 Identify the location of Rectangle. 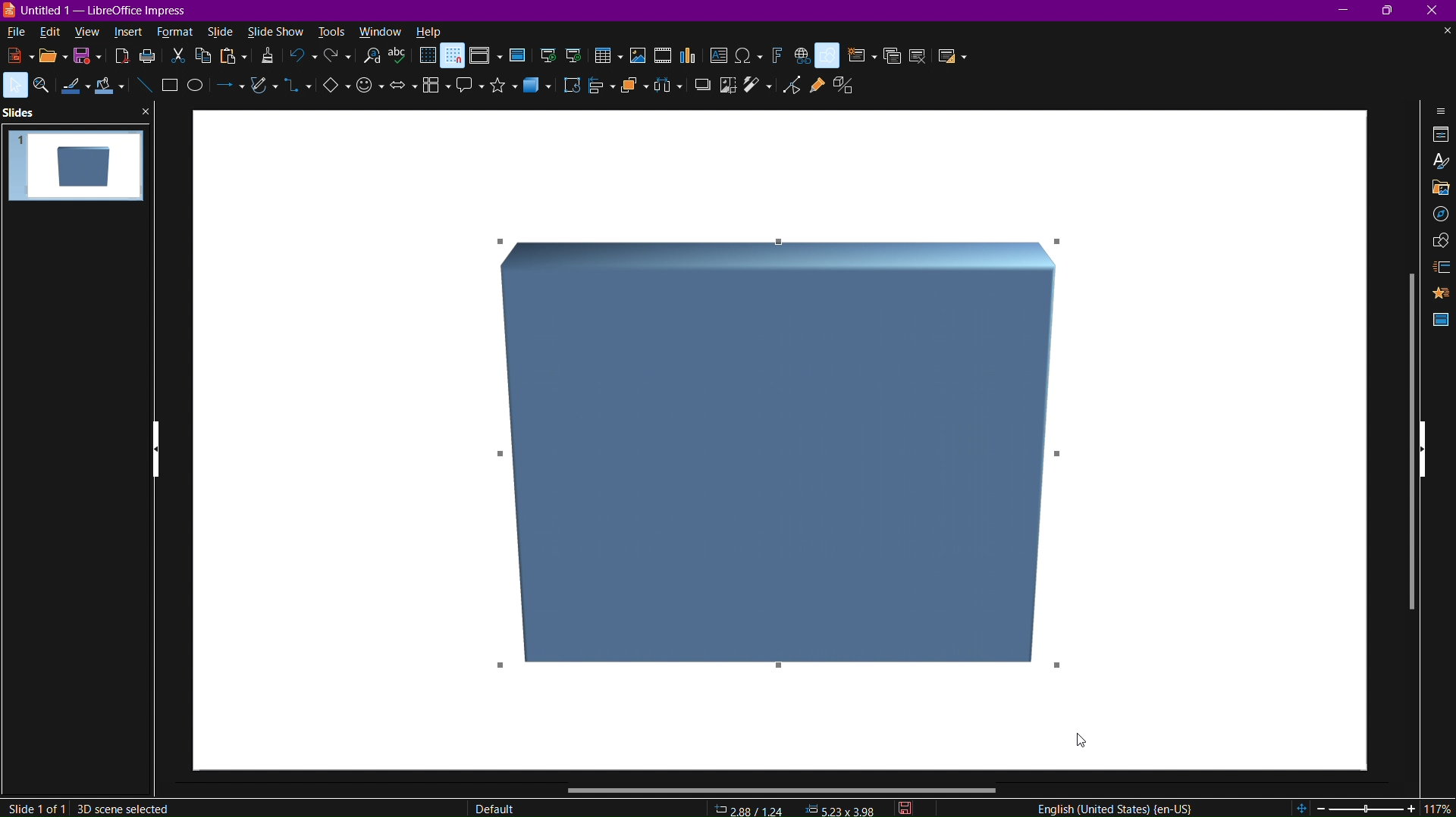
(170, 86).